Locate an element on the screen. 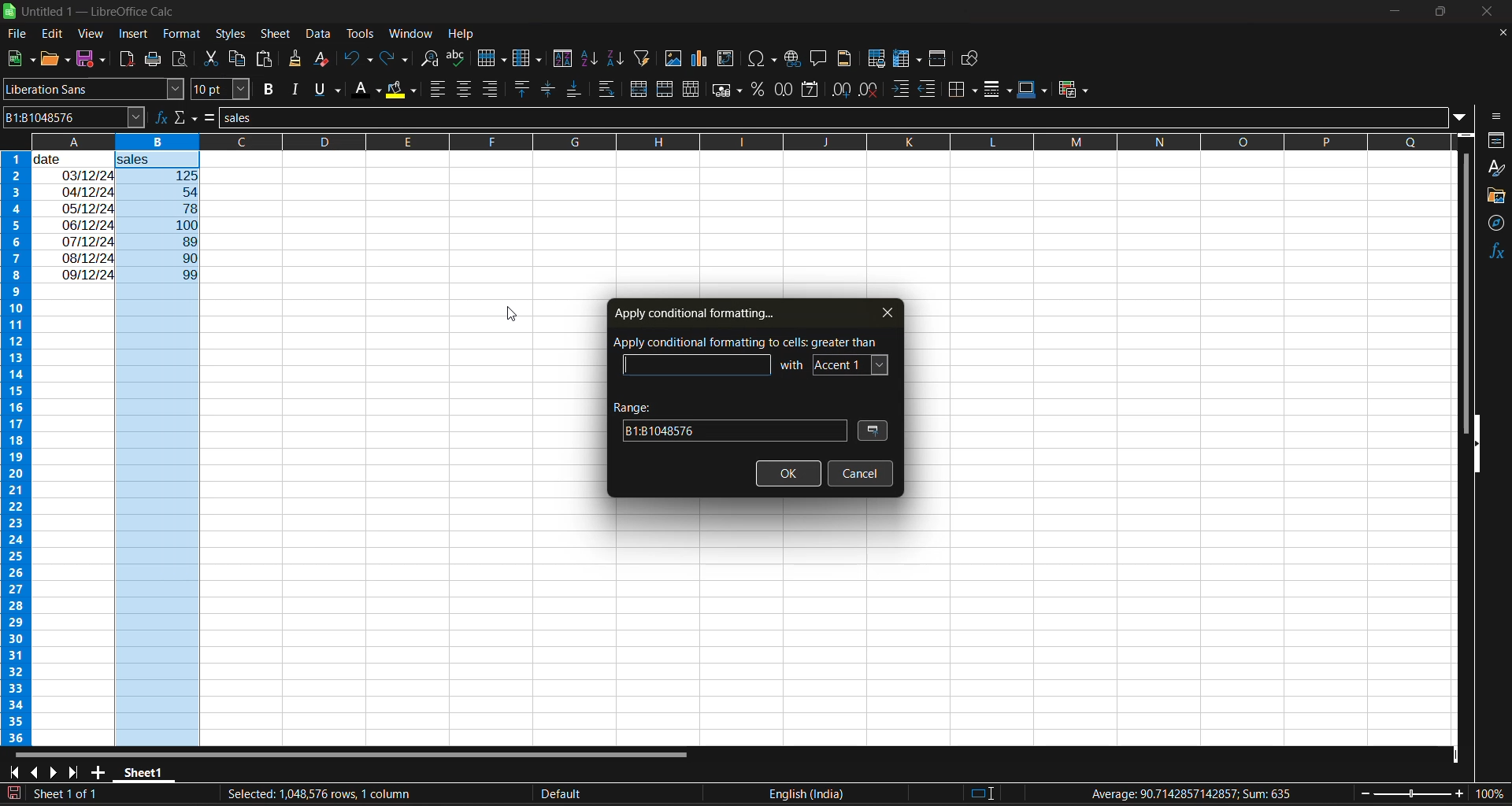 The height and width of the screenshot is (806, 1512). hide sidebar settings is located at coordinates (1498, 117).